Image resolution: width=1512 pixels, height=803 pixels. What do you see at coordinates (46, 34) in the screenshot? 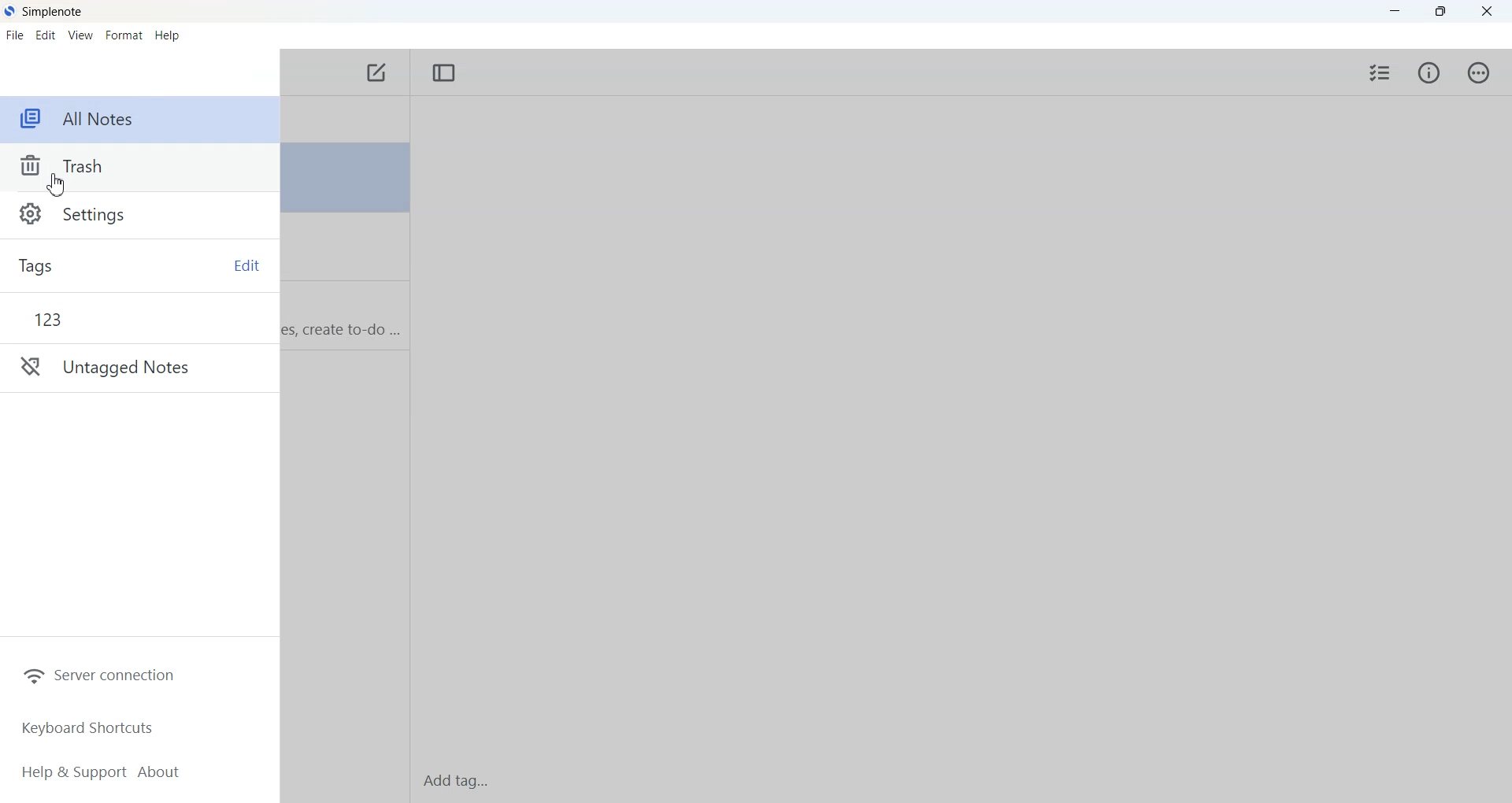
I see `Edit ` at bounding box center [46, 34].